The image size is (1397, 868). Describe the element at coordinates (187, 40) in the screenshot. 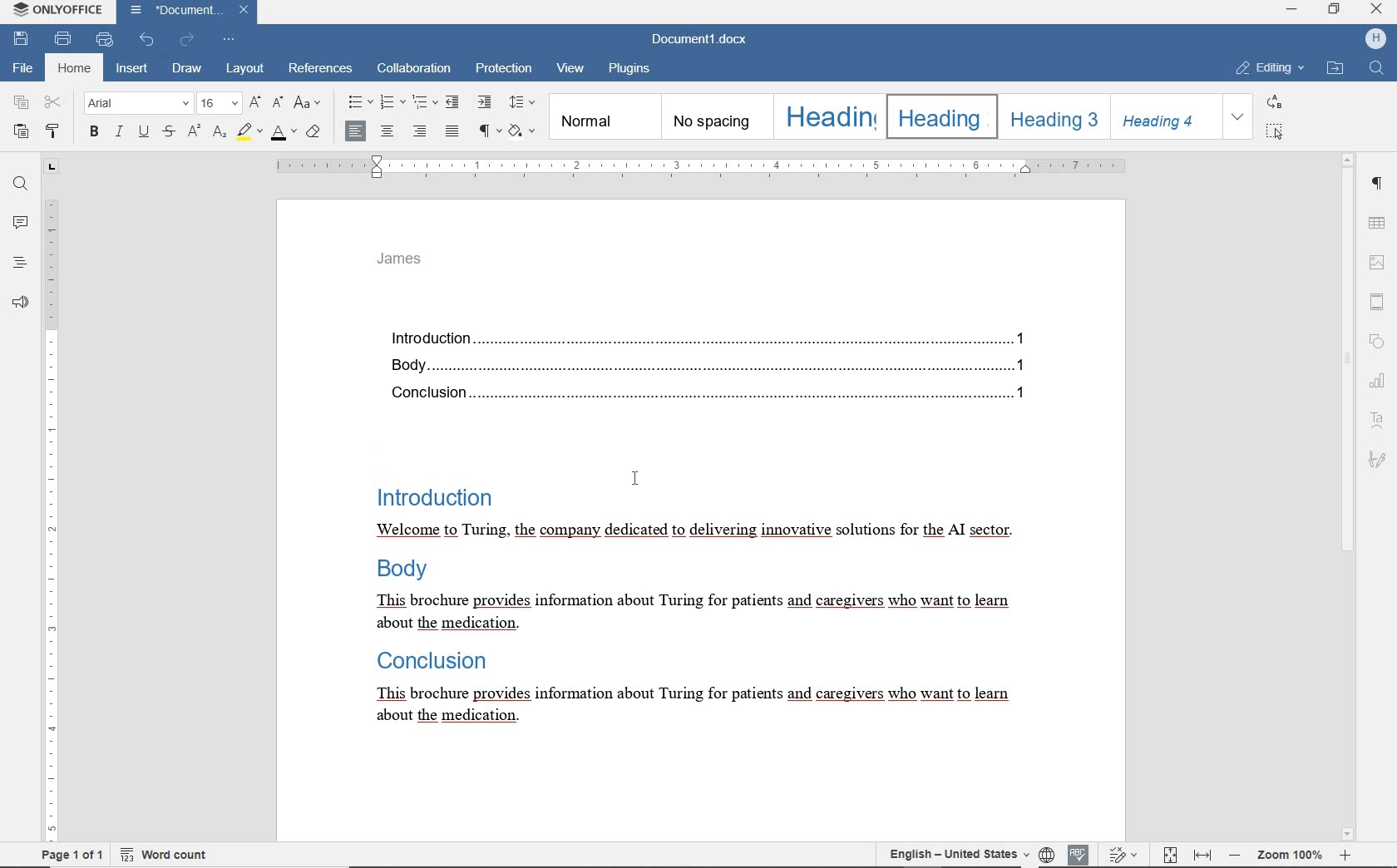

I see `redo` at that location.